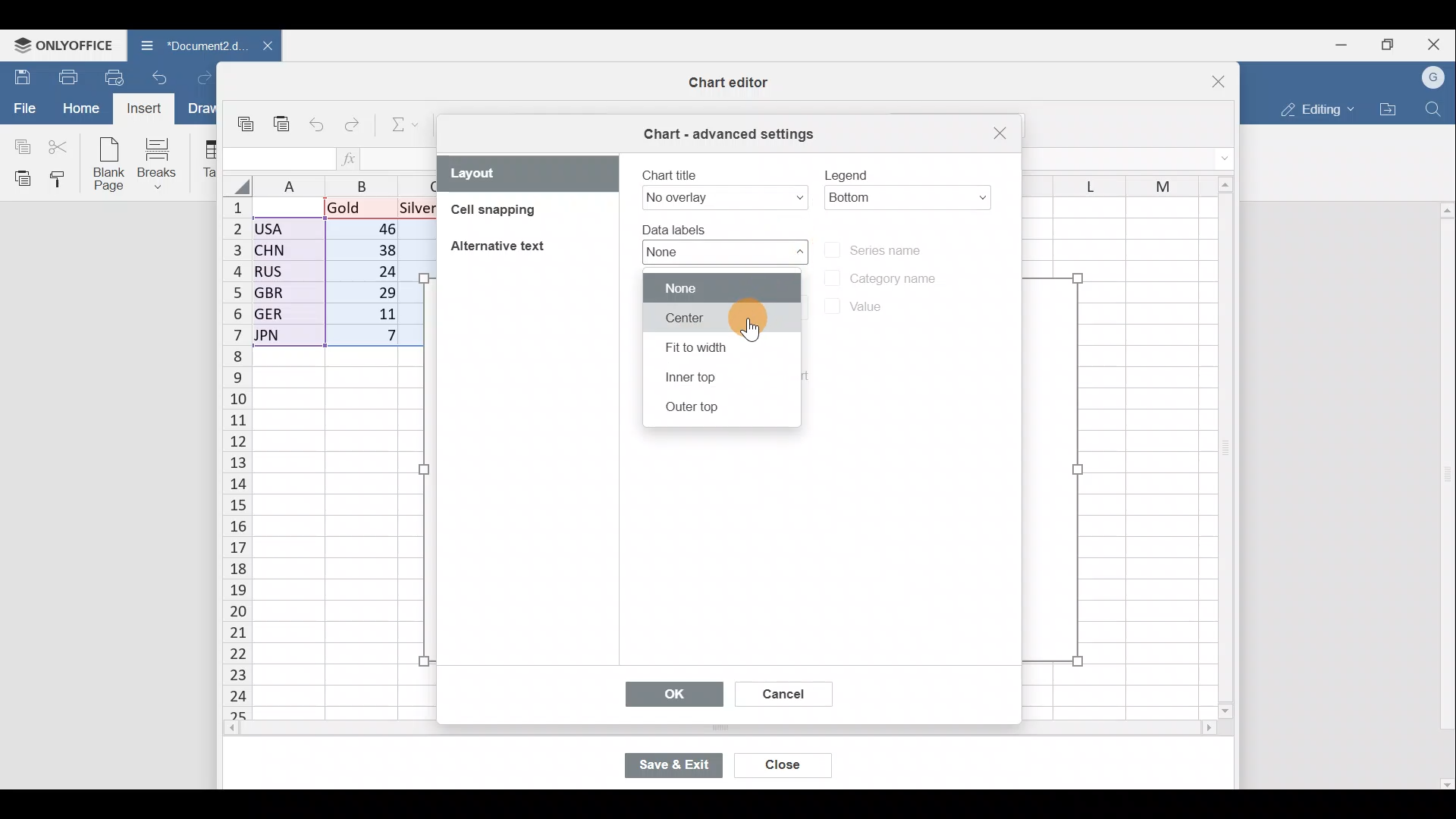 The height and width of the screenshot is (819, 1456). I want to click on cursor, so click(761, 332).